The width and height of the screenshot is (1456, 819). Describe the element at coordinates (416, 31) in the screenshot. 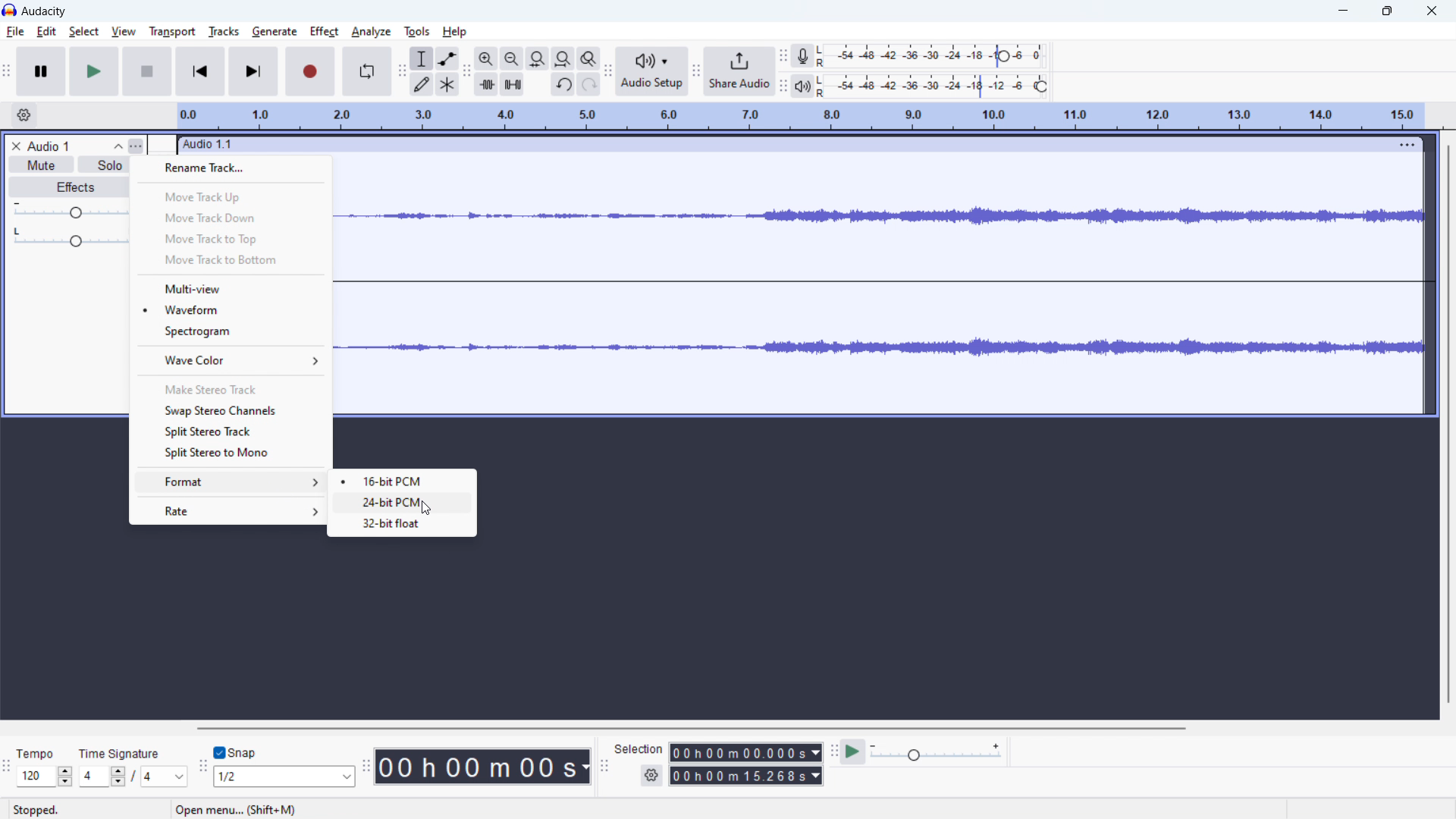

I see `tools` at that location.